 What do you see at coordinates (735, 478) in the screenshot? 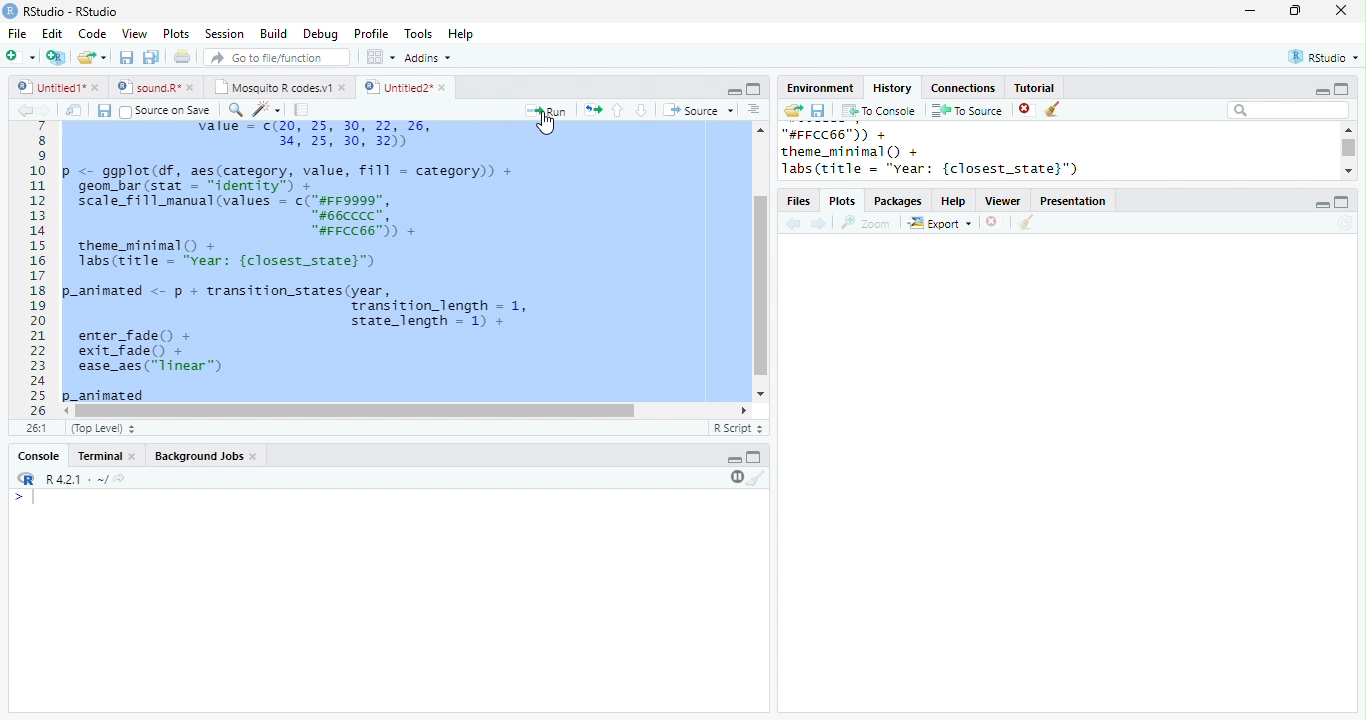
I see `pause` at bounding box center [735, 478].